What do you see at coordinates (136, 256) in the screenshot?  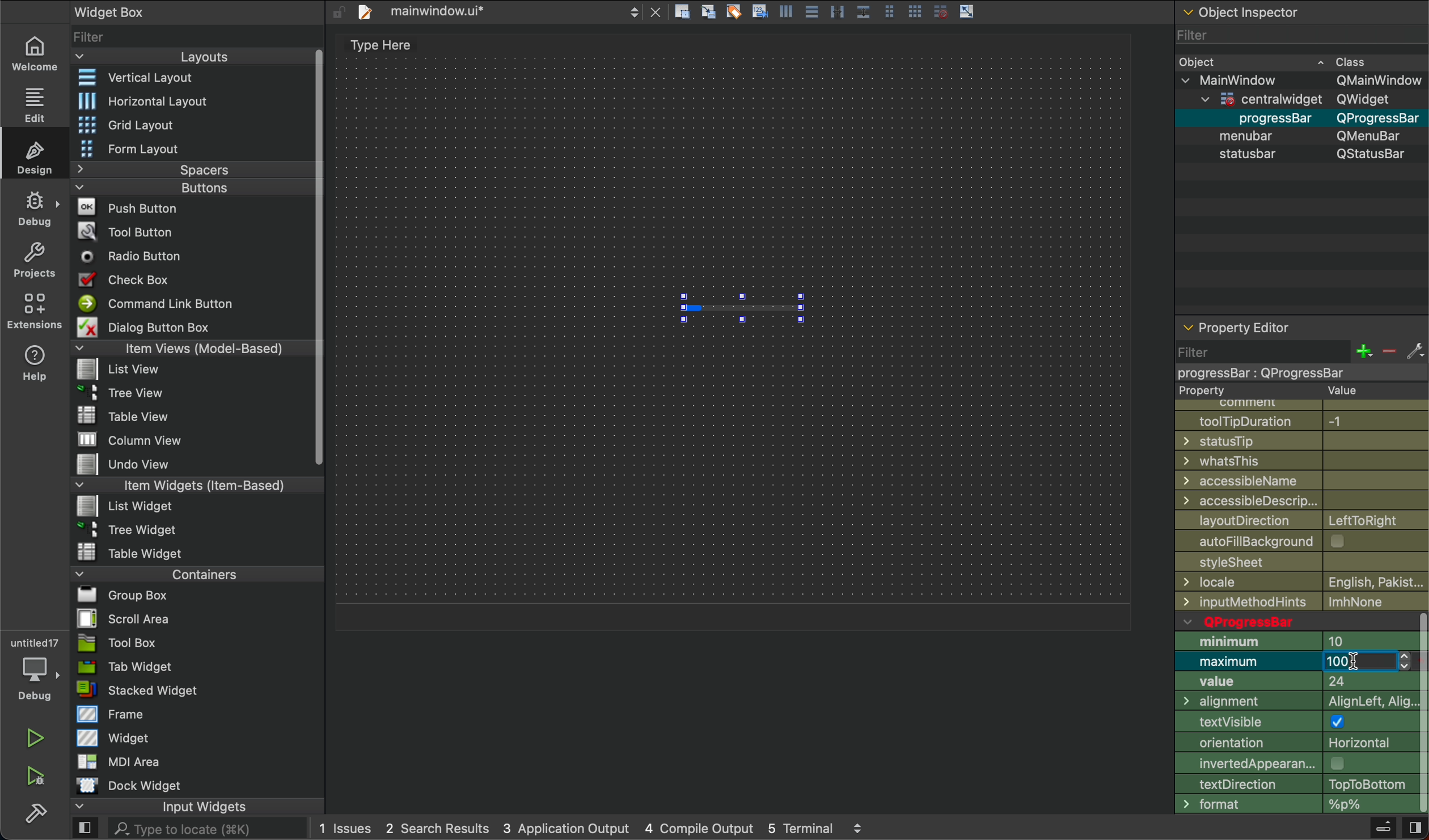 I see `Radio Button` at bounding box center [136, 256].